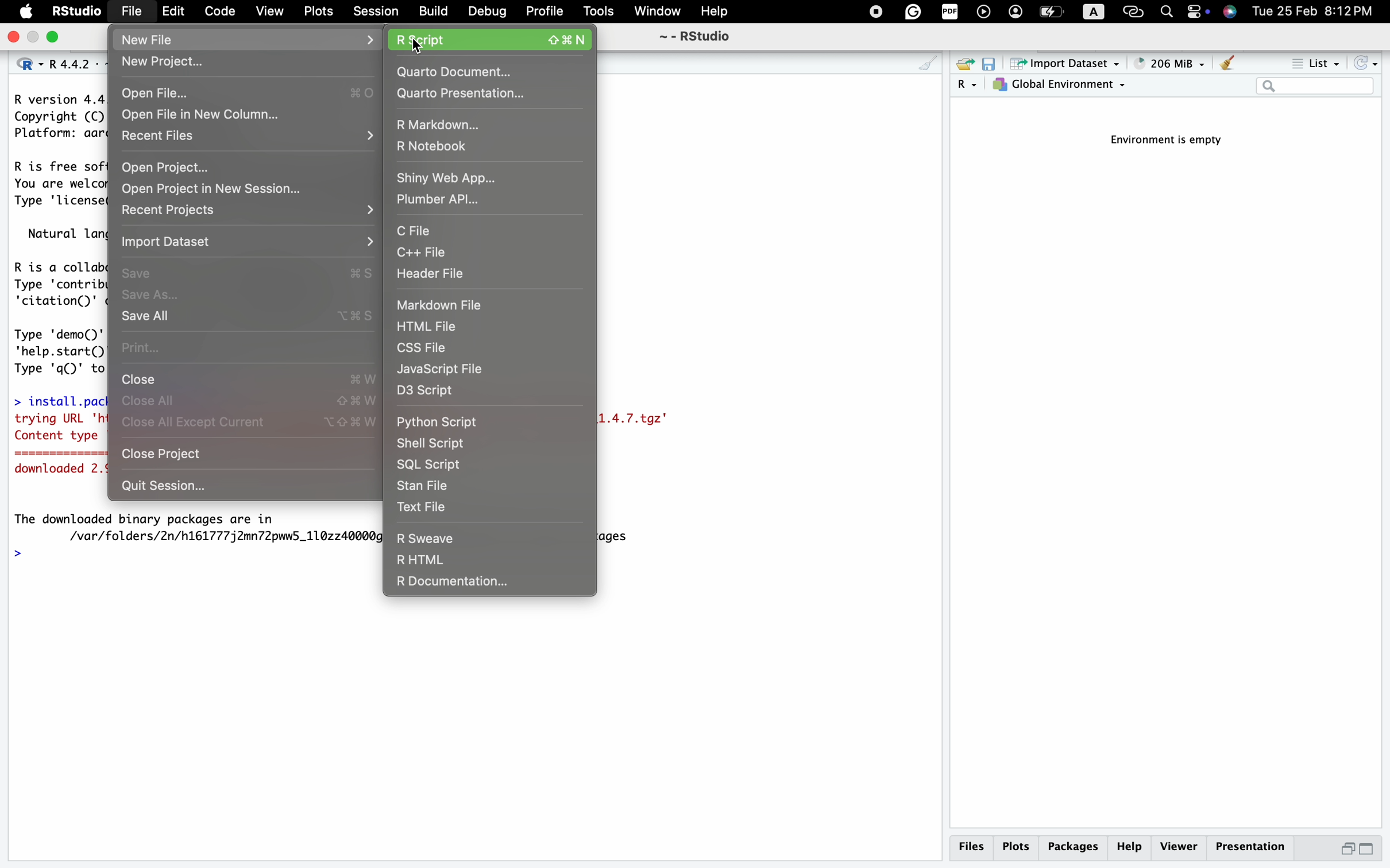  Describe the element at coordinates (1129, 848) in the screenshot. I see `help` at that location.